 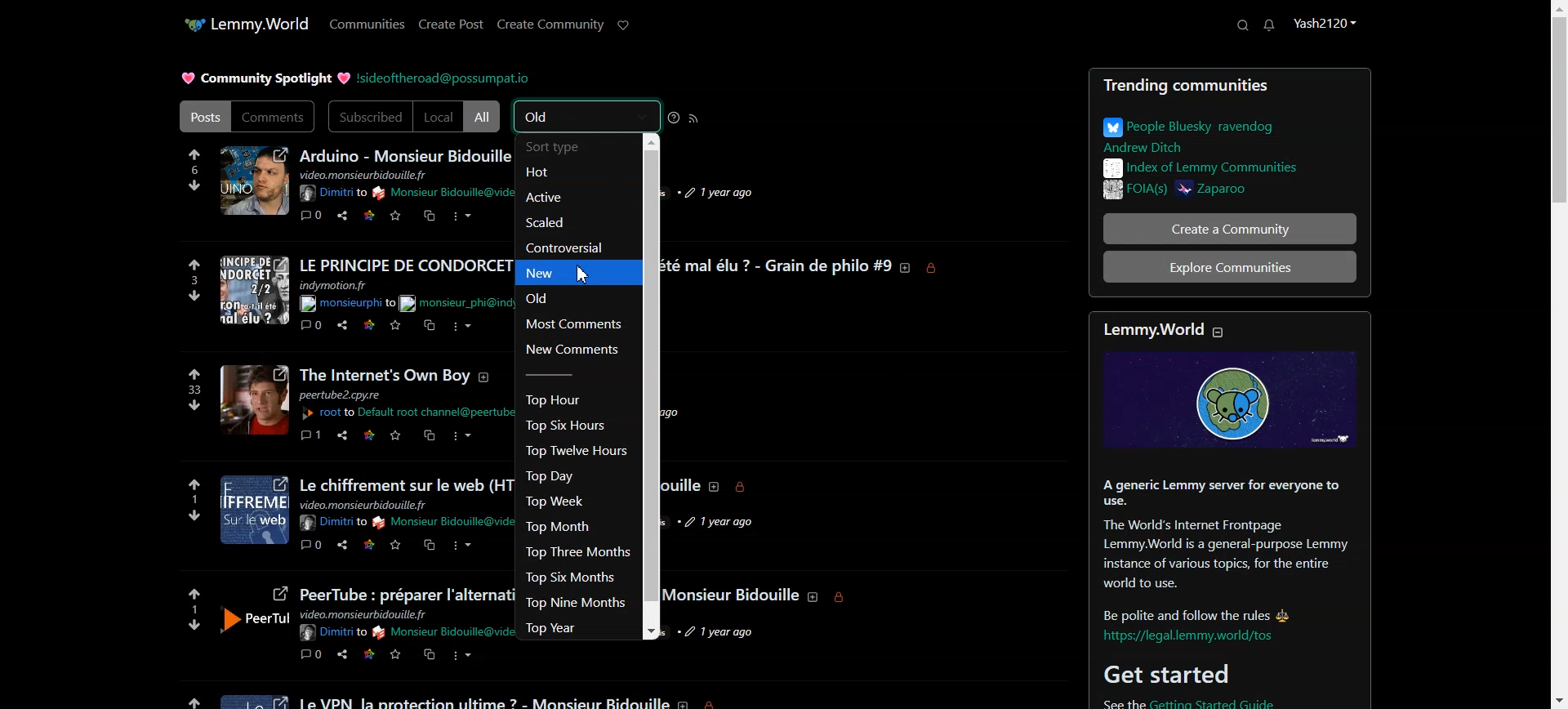 I want to click on , so click(x=841, y=598).